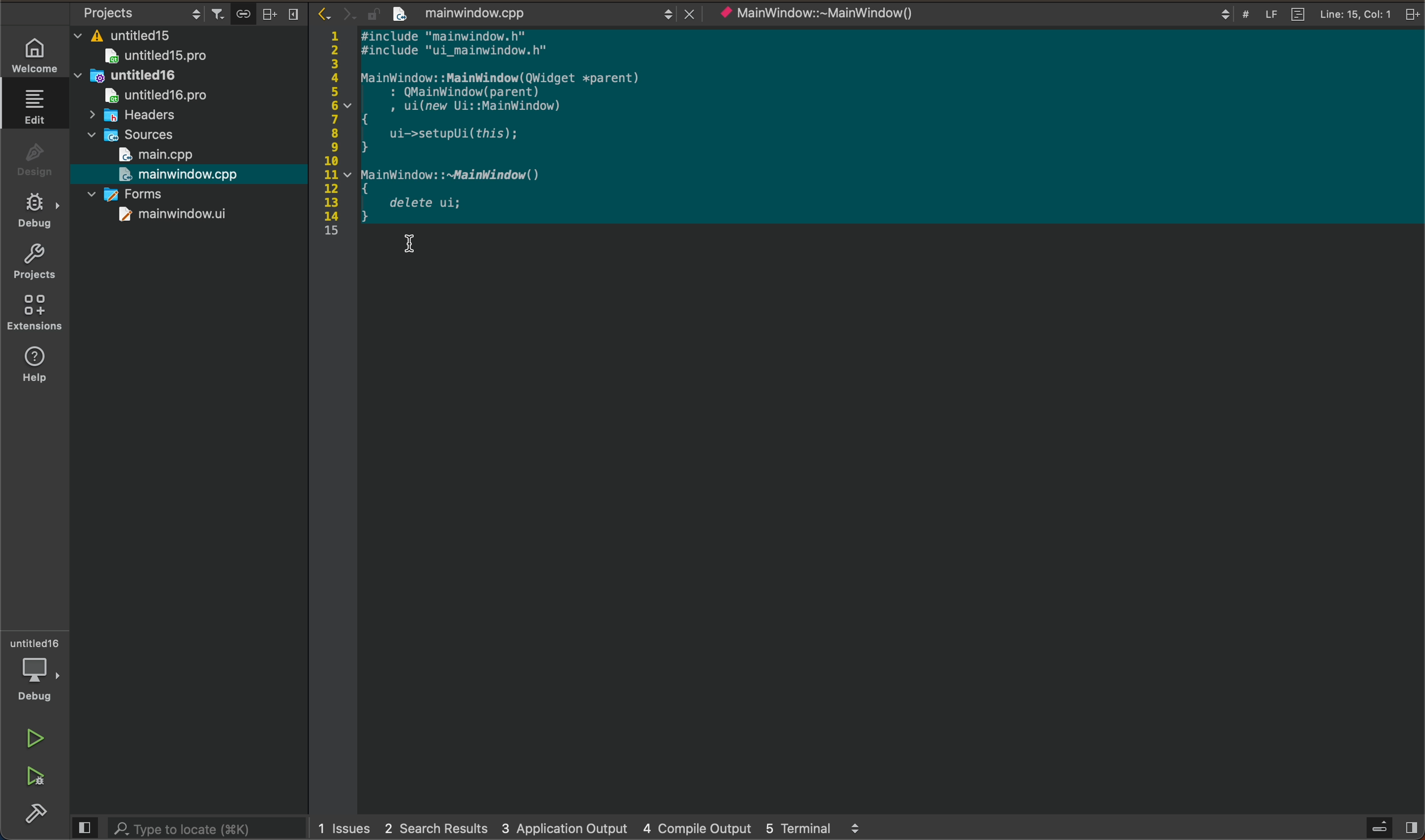  Describe the element at coordinates (587, 830) in the screenshot. I see `1 Issues 2 Search Results 3 Application Output 4 Compile Output 5 Terminal` at that location.